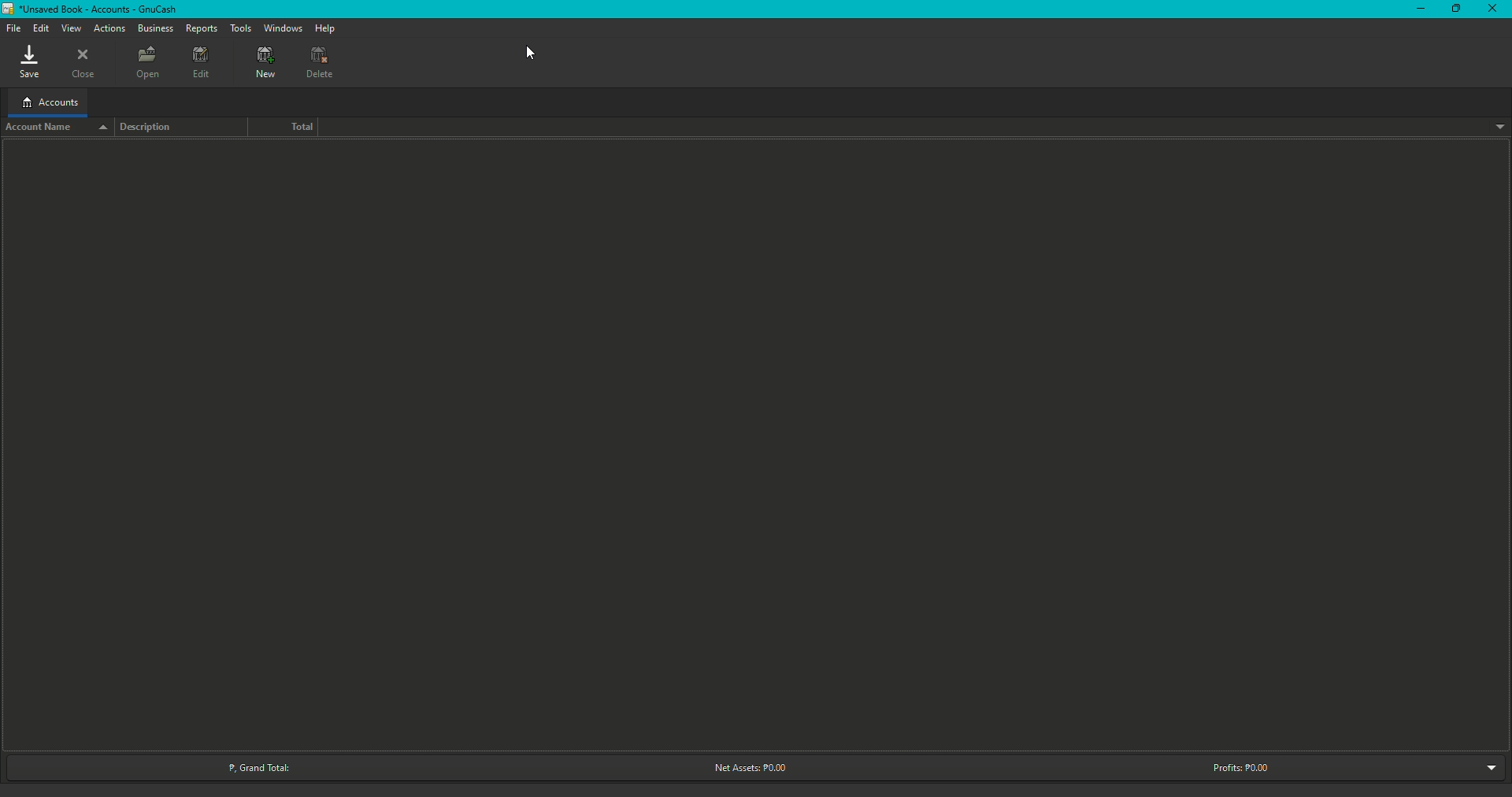 The image size is (1512, 797). Describe the element at coordinates (1417, 9) in the screenshot. I see `Minimize` at that location.